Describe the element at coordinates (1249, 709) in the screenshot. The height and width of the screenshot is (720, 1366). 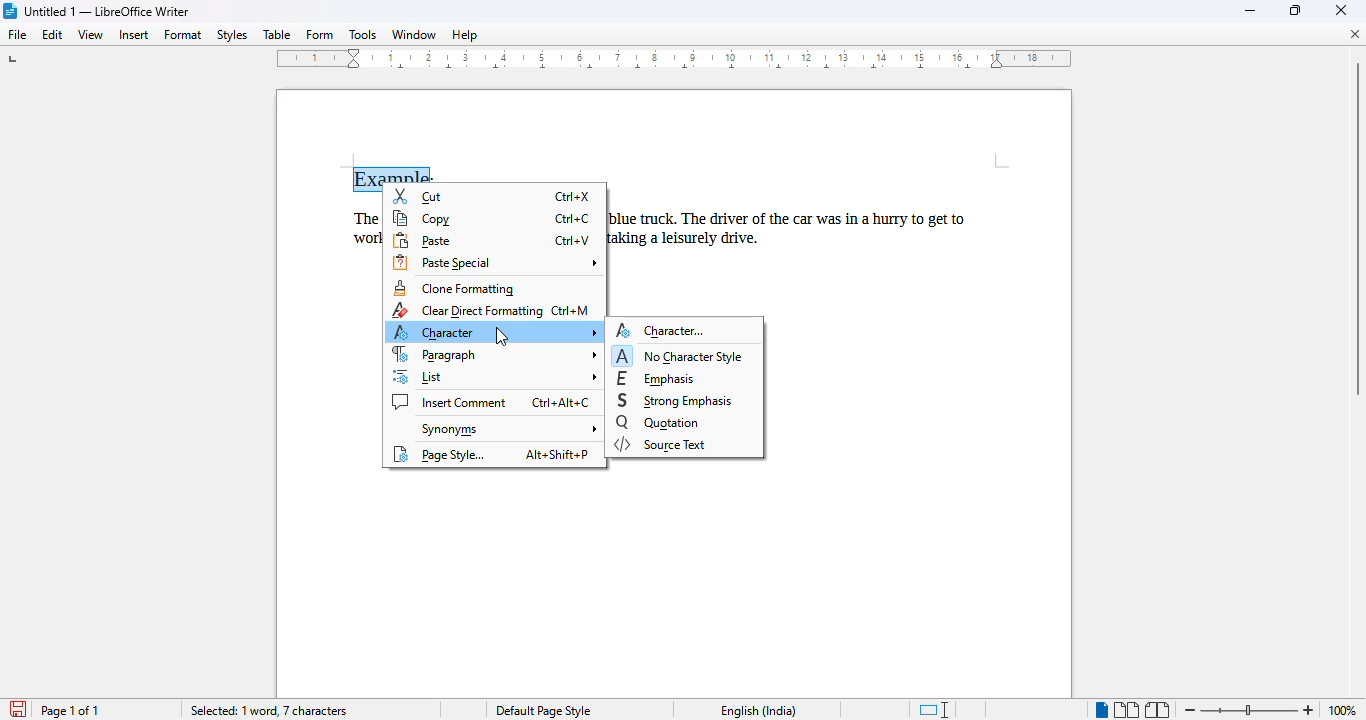
I see `Change zoom level` at that location.